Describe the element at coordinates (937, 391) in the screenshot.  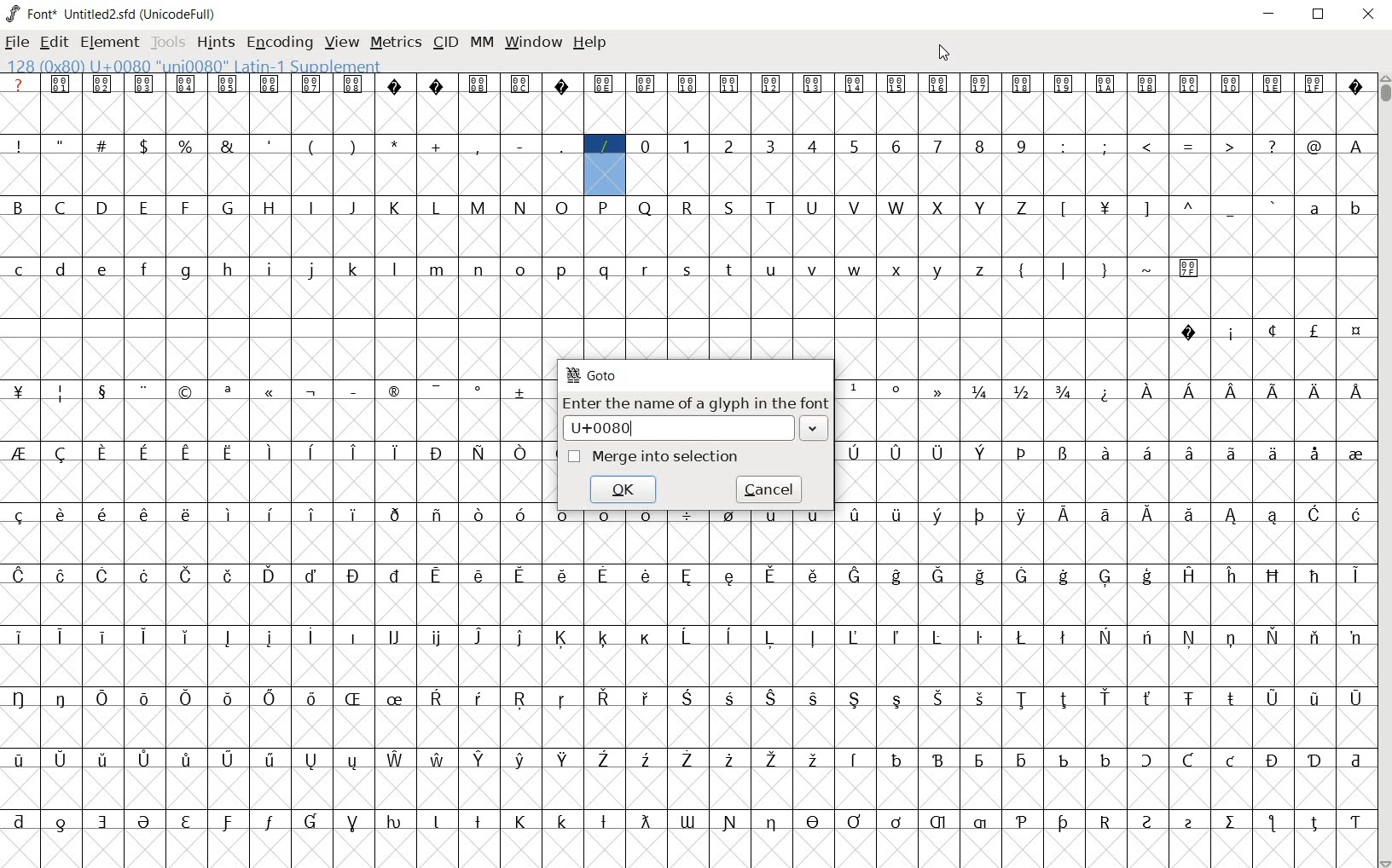
I see `glyph` at that location.